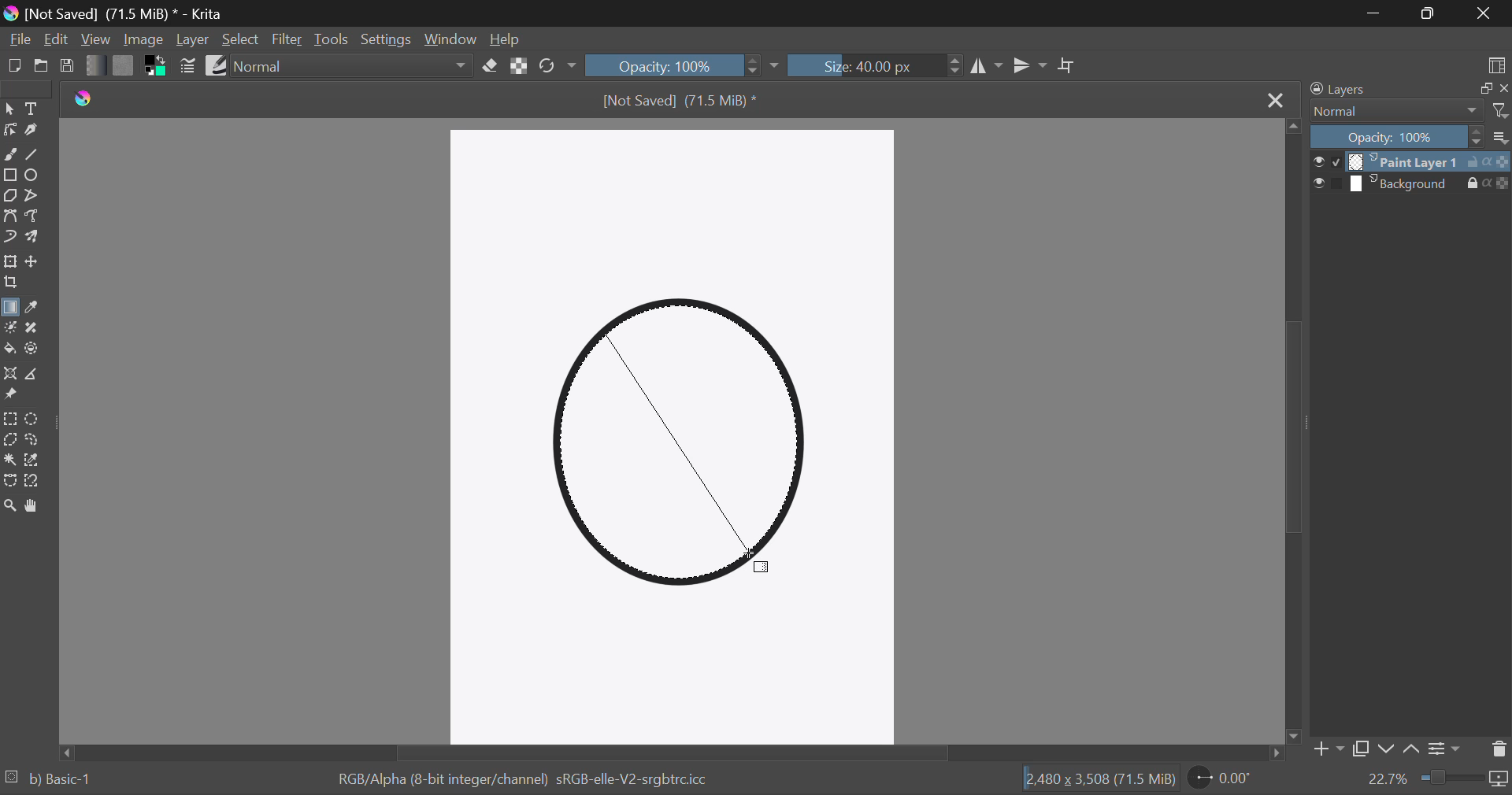 This screenshot has height=795, width=1512. Describe the element at coordinates (36, 307) in the screenshot. I see `Eyedropper` at that location.